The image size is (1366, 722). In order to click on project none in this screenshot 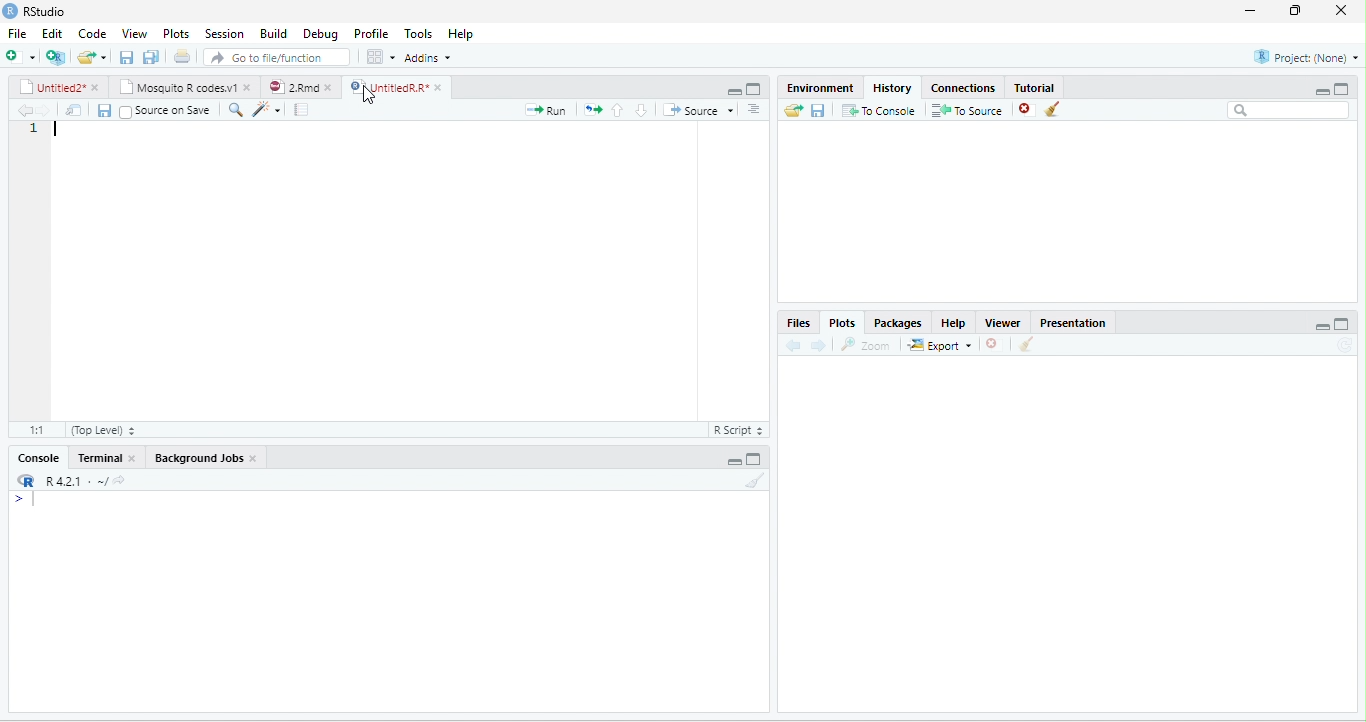, I will do `click(1295, 58)`.